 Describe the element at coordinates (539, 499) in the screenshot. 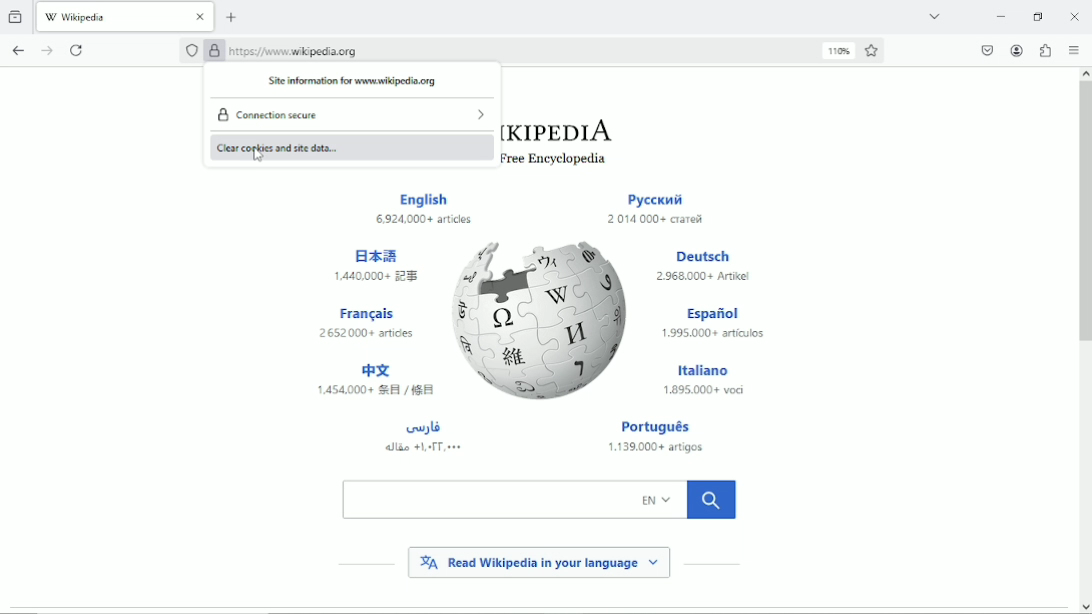

I see `search` at that location.